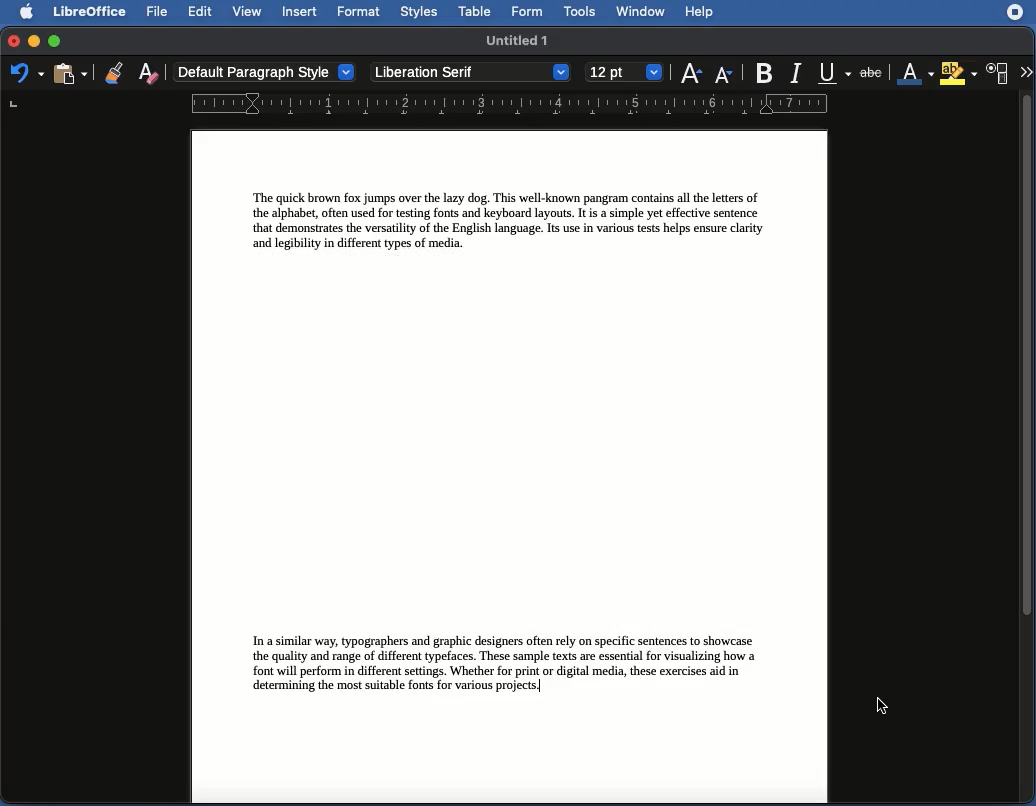 The width and height of the screenshot is (1036, 806). What do you see at coordinates (55, 42) in the screenshot?
I see `maximize` at bounding box center [55, 42].